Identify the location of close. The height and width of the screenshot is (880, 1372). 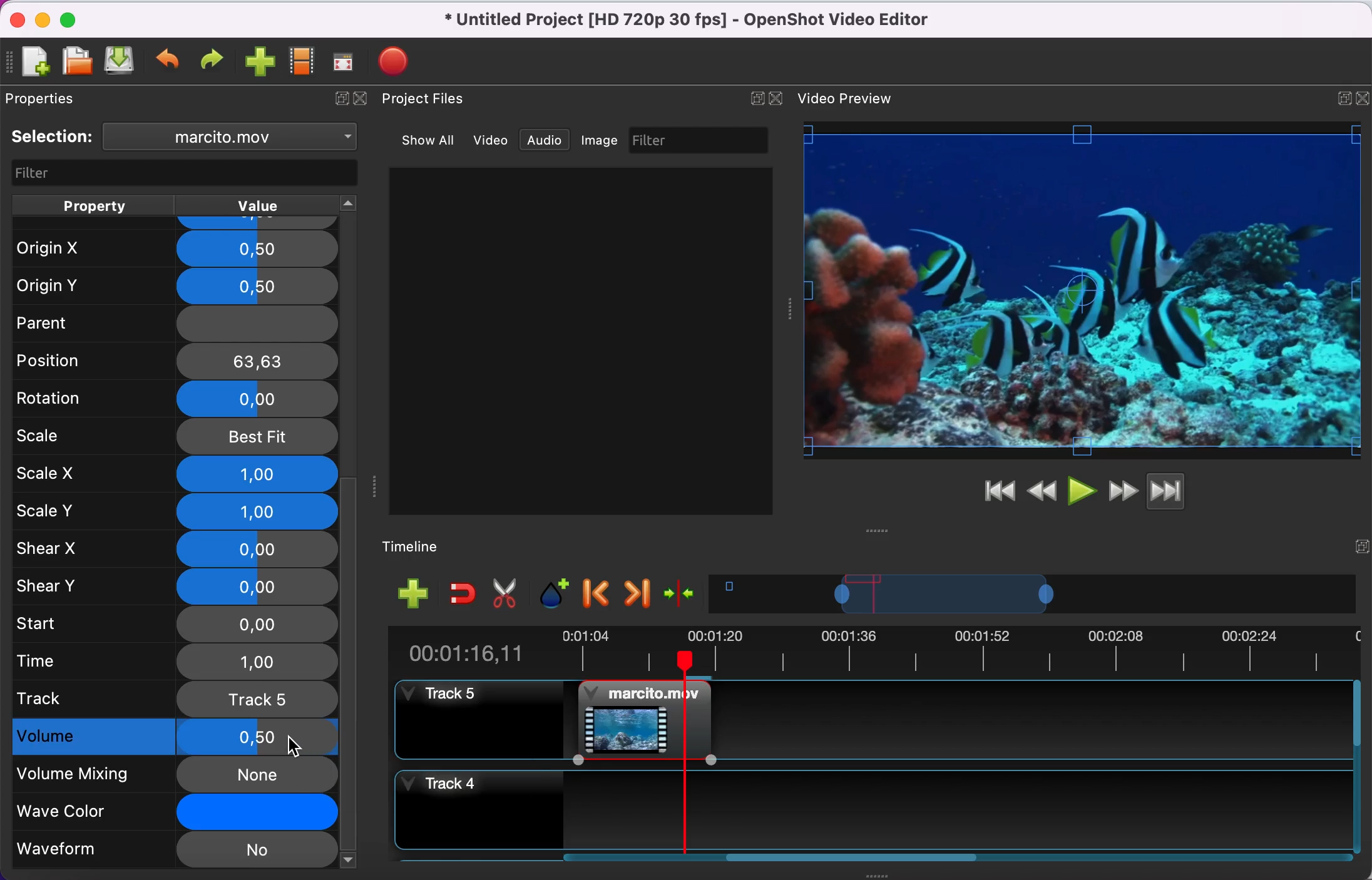
(366, 103).